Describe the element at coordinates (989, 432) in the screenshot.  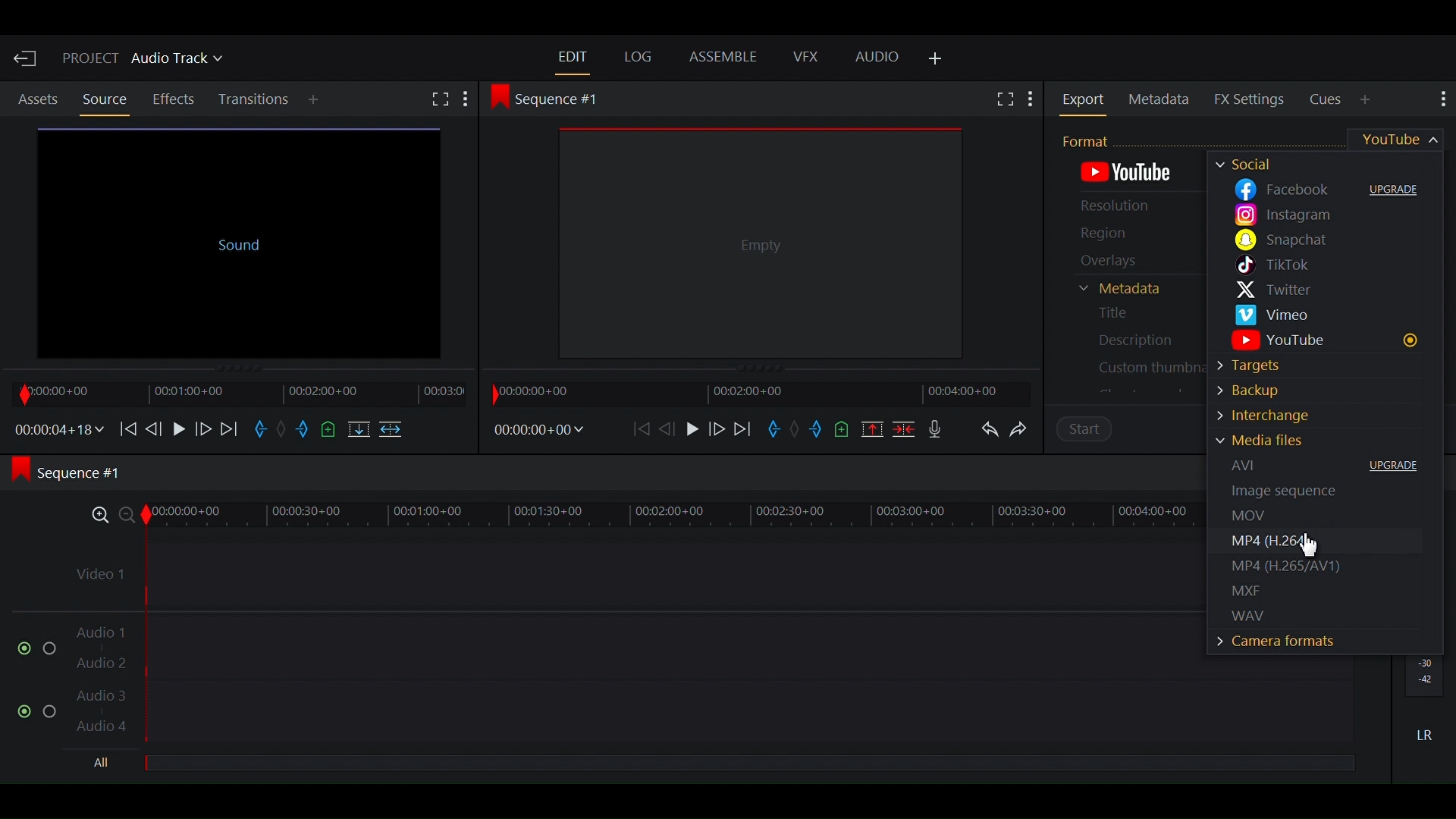
I see `Undo` at that location.